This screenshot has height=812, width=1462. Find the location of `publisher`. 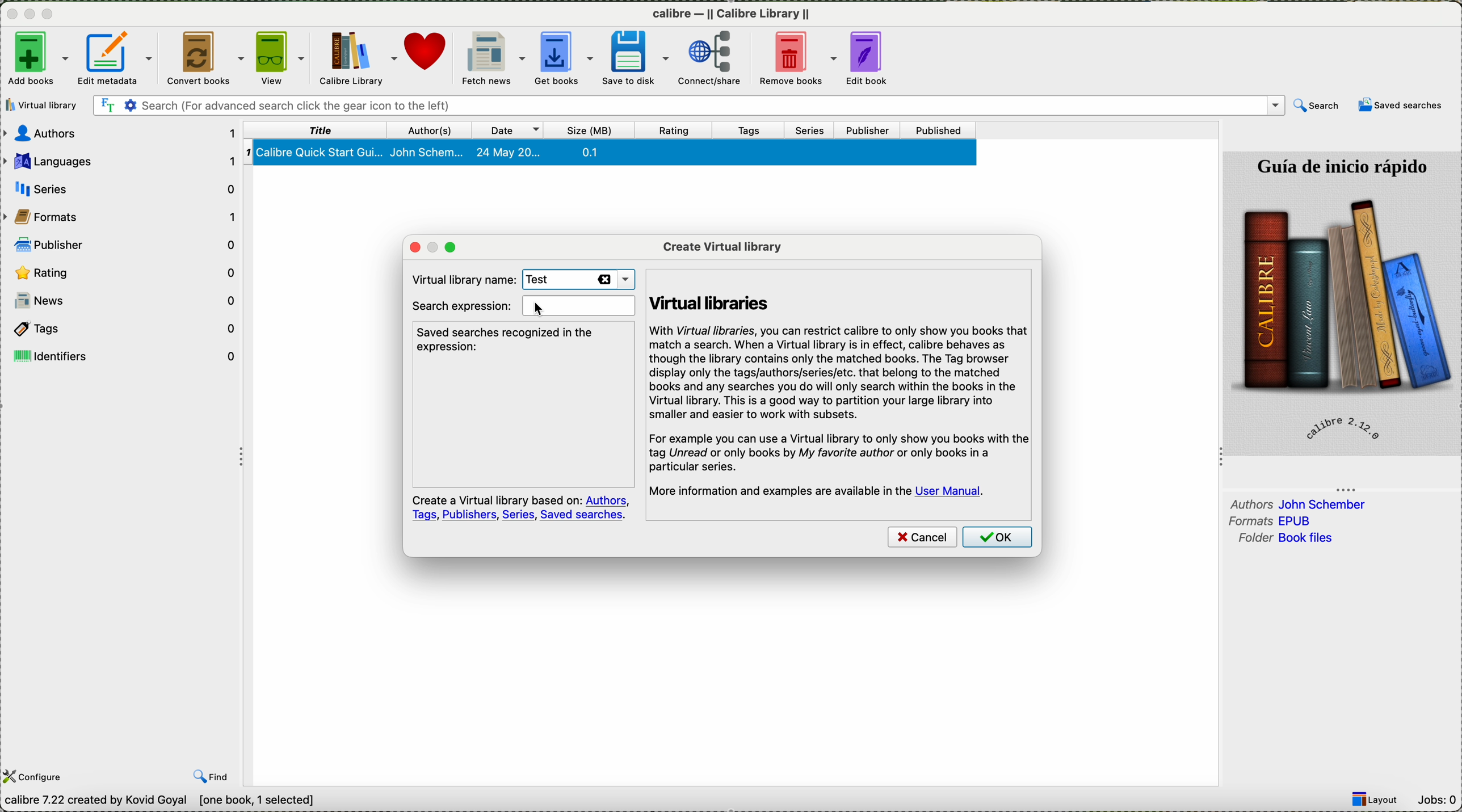

publisher is located at coordinates (126, 243).